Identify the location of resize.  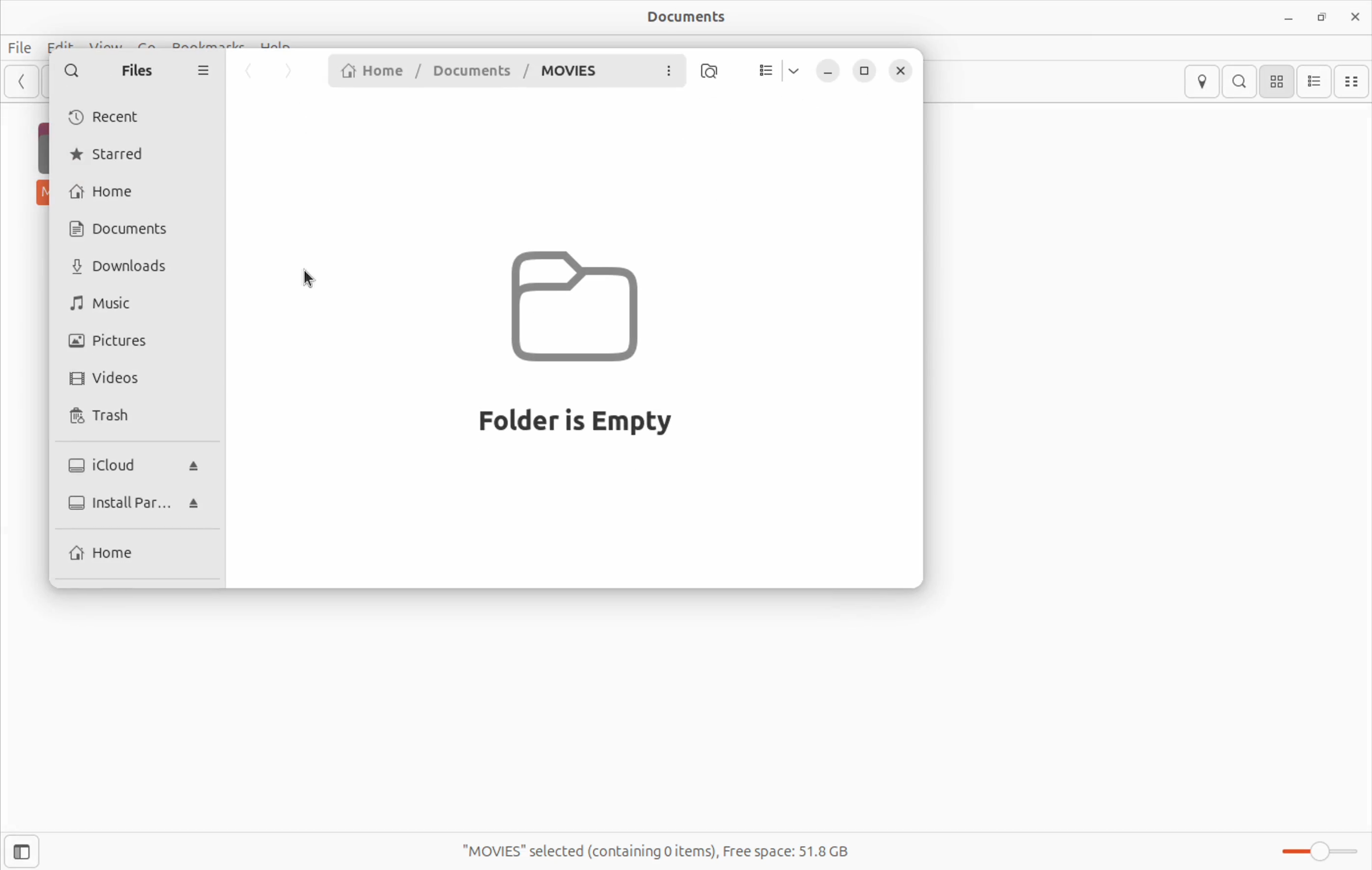
(867, 71).